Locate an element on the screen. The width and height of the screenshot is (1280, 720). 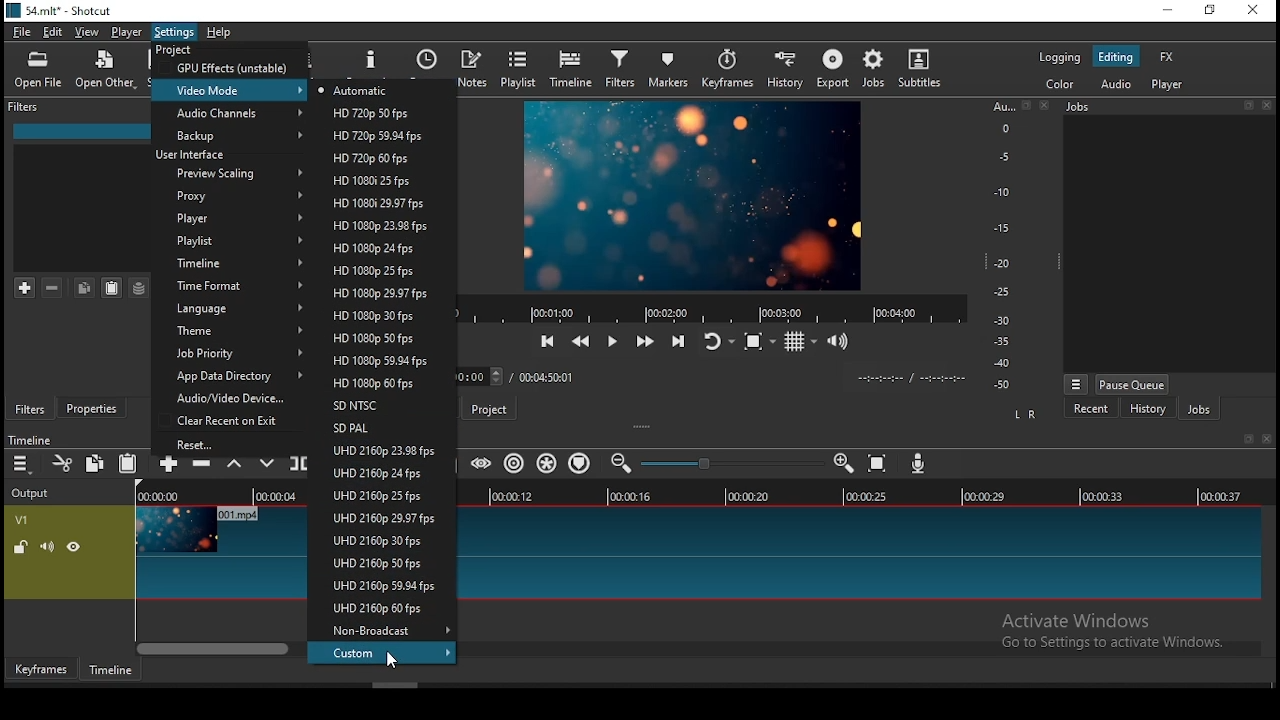
-30 is located at coordinates (1005, 320).